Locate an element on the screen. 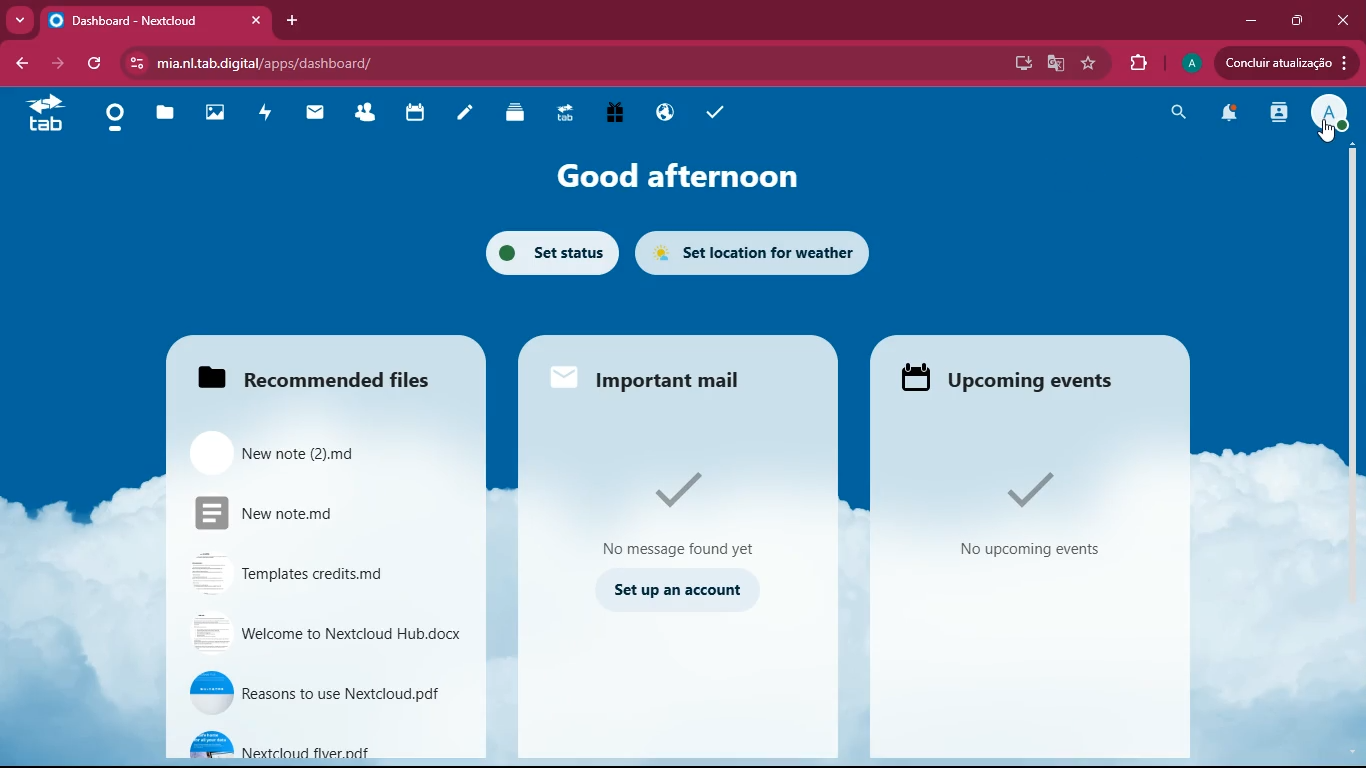 The height and width of the screenshot is (768, 1366). google translate is located at coordinates (1054, 62).